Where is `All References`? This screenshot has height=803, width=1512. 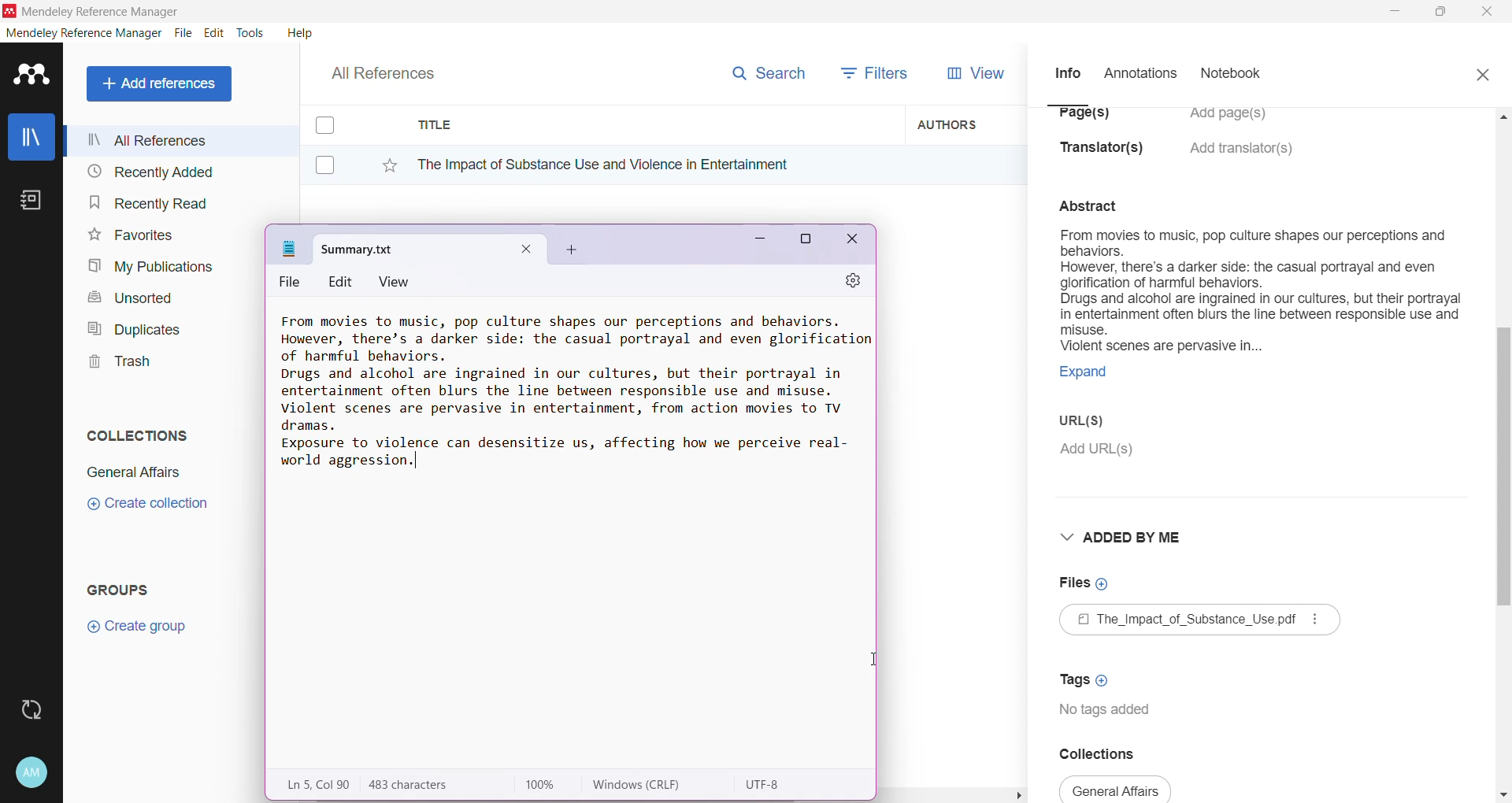
All References is located at coordinates (180, 140).